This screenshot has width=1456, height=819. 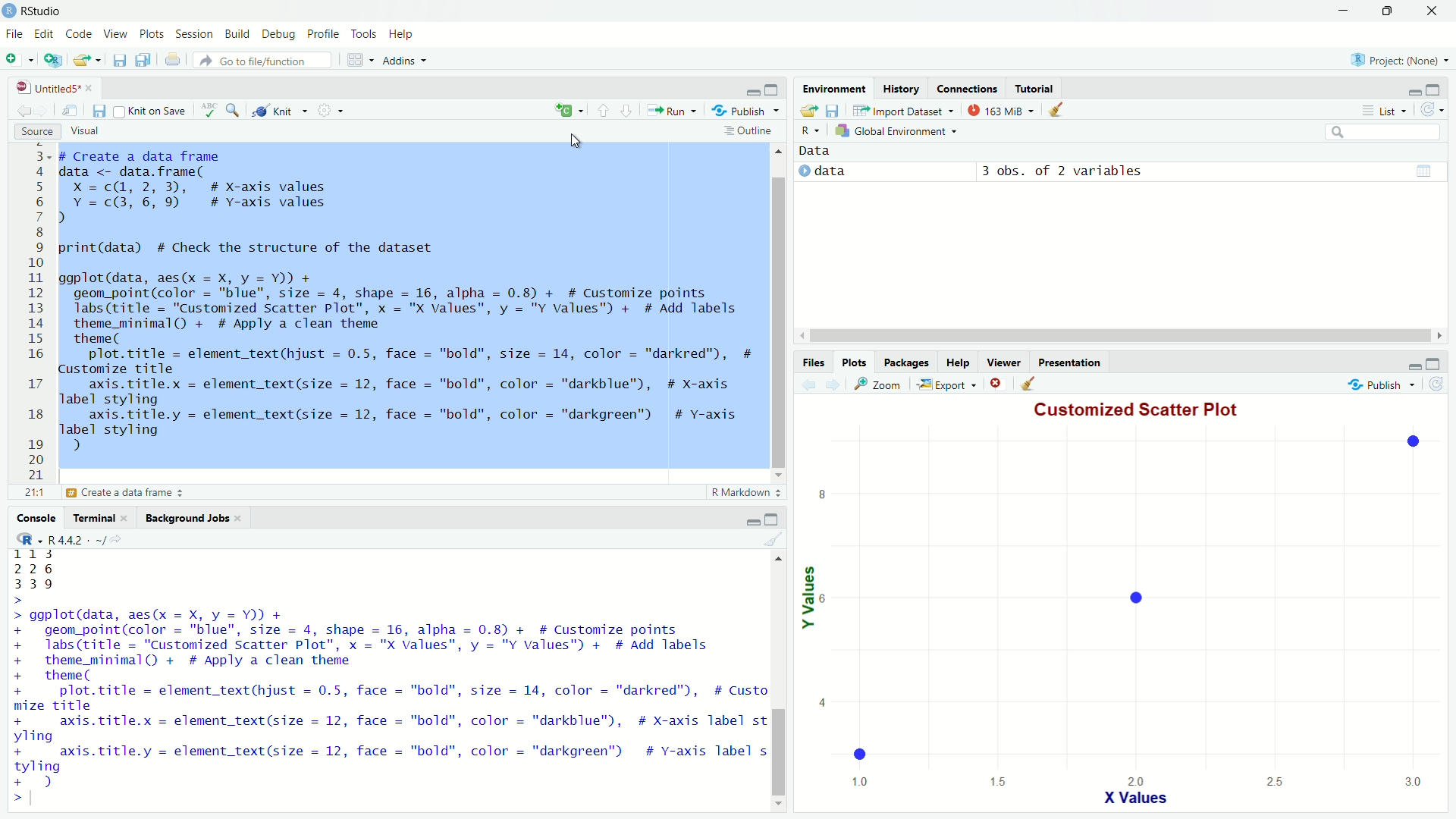 What do you see at coordinates (154, 35) in the screenshot?
I see `Plots` at bounding box center [154, 35].